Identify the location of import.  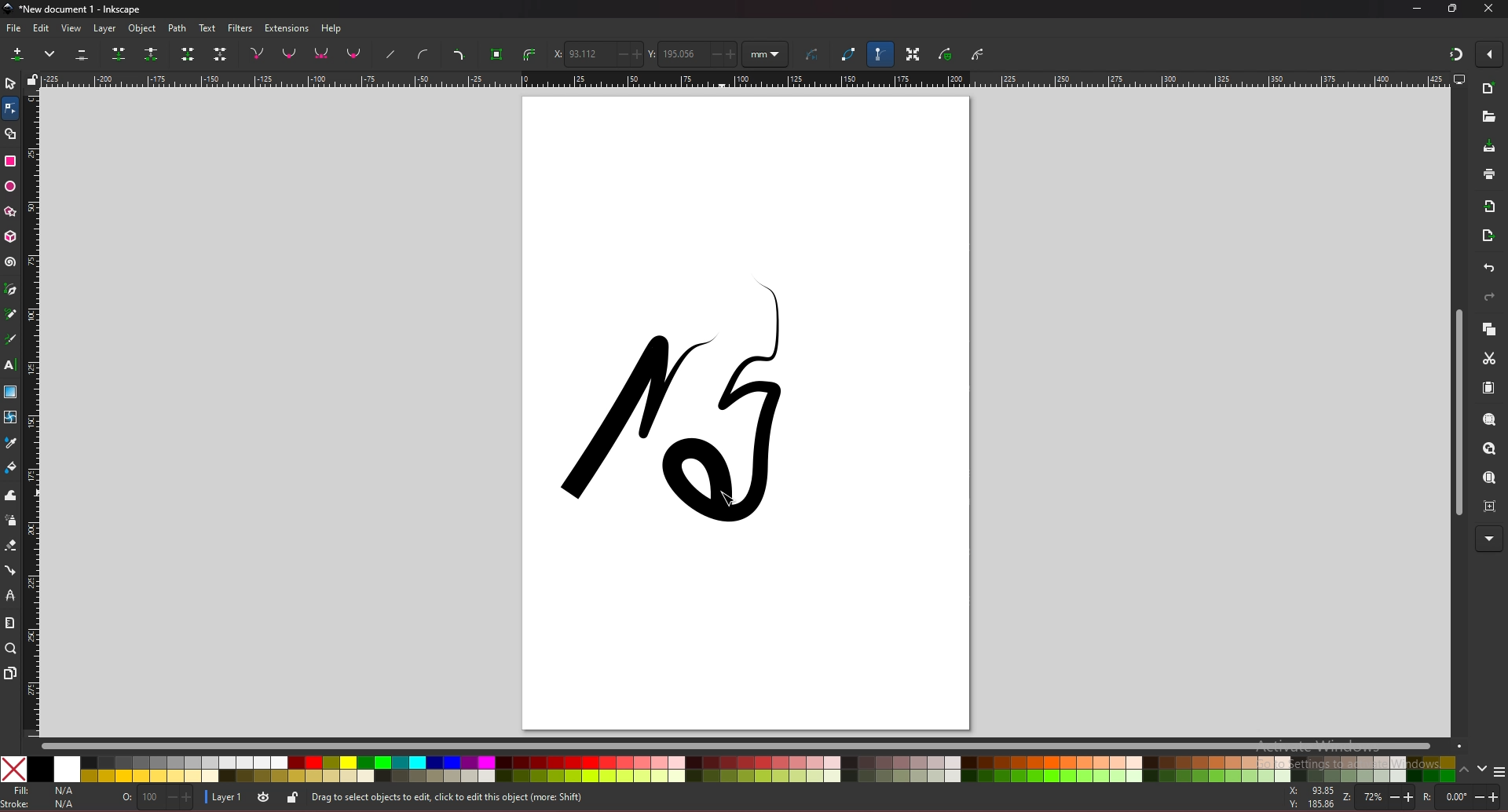
(1490, 207).